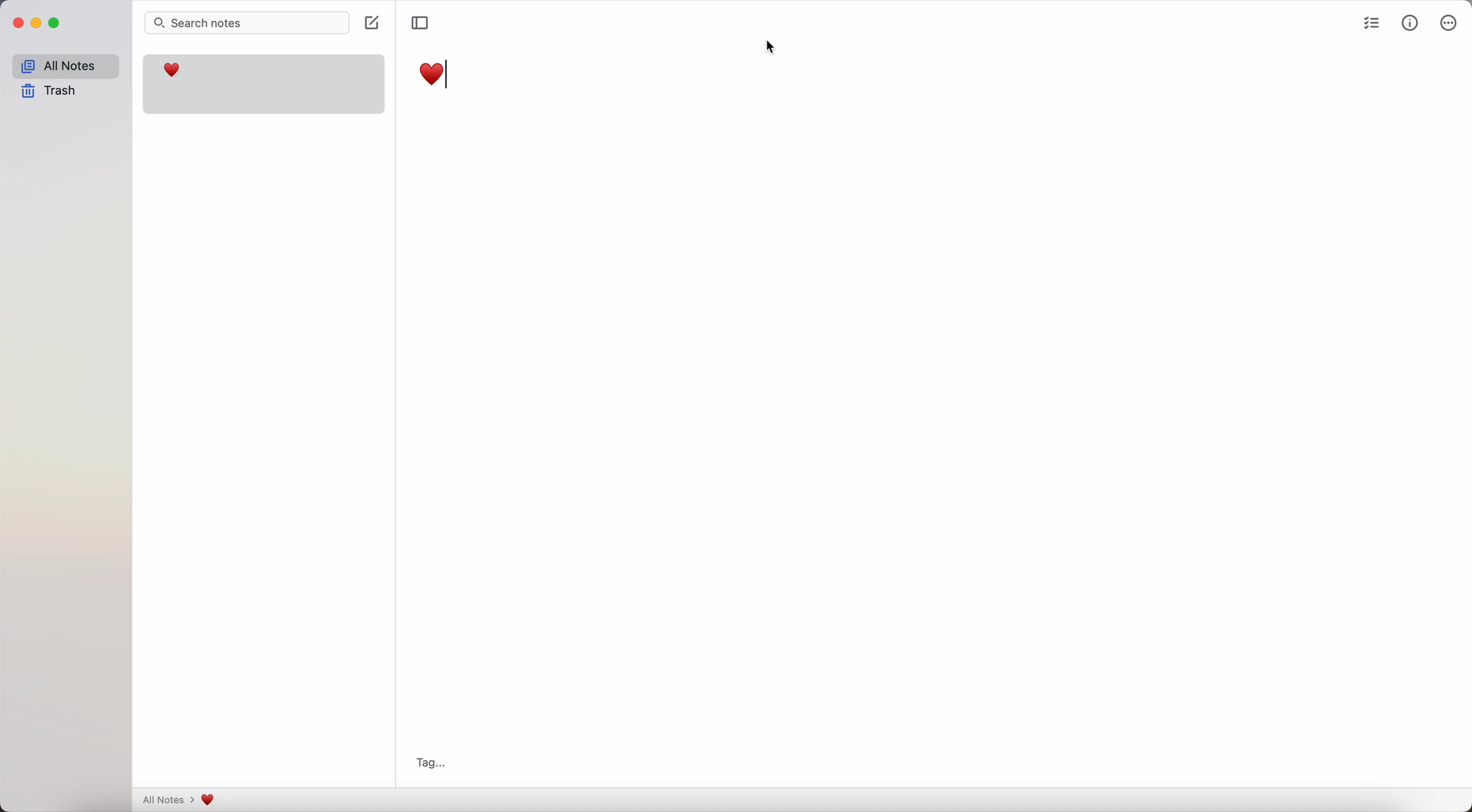  What do you see at coordinates (775, 48) in the screenshot?
I see `cursor` at bounding box center [775, 48].